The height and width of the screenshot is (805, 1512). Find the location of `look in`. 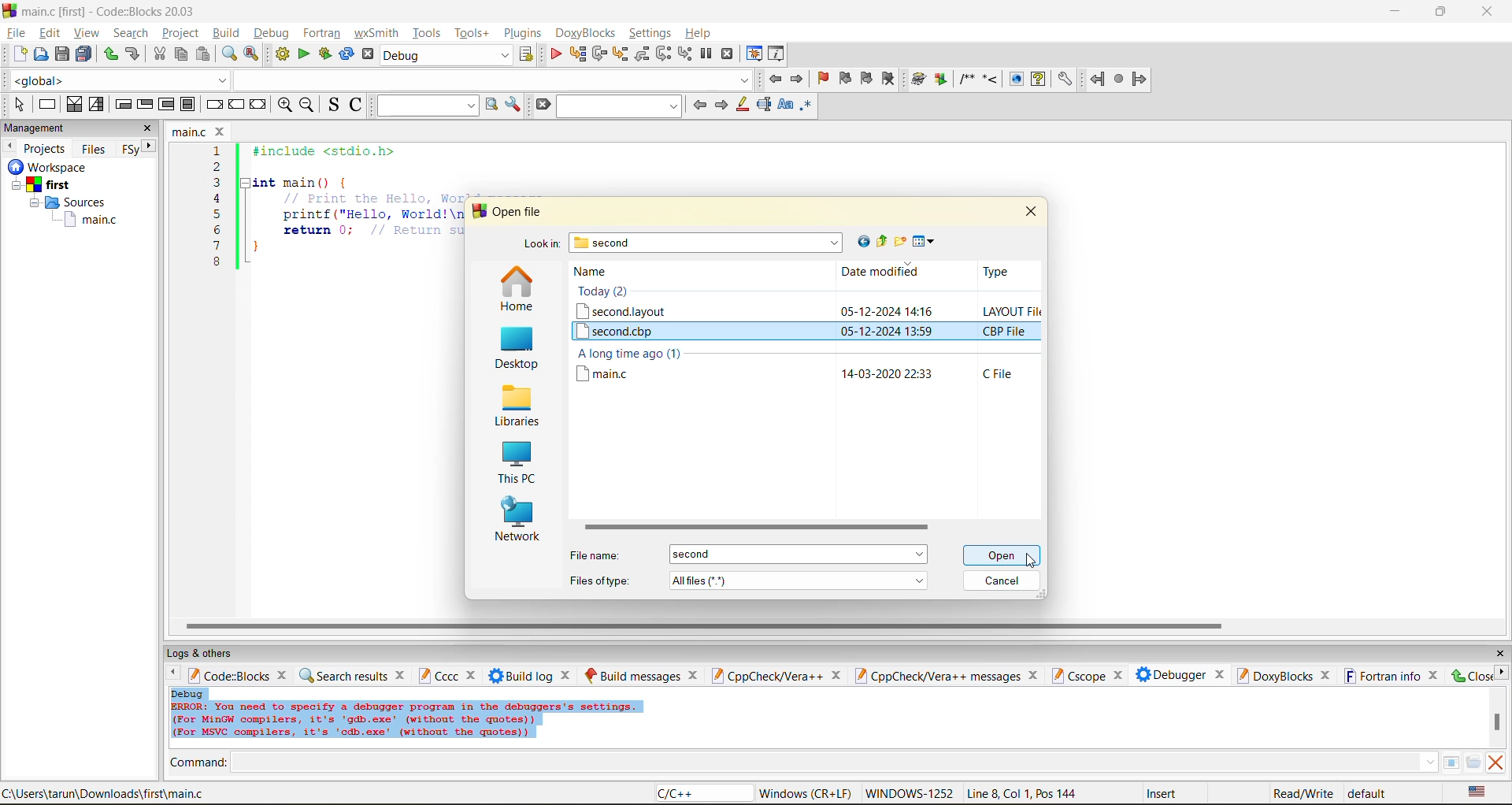

look in is located at coordinates (541, 246).